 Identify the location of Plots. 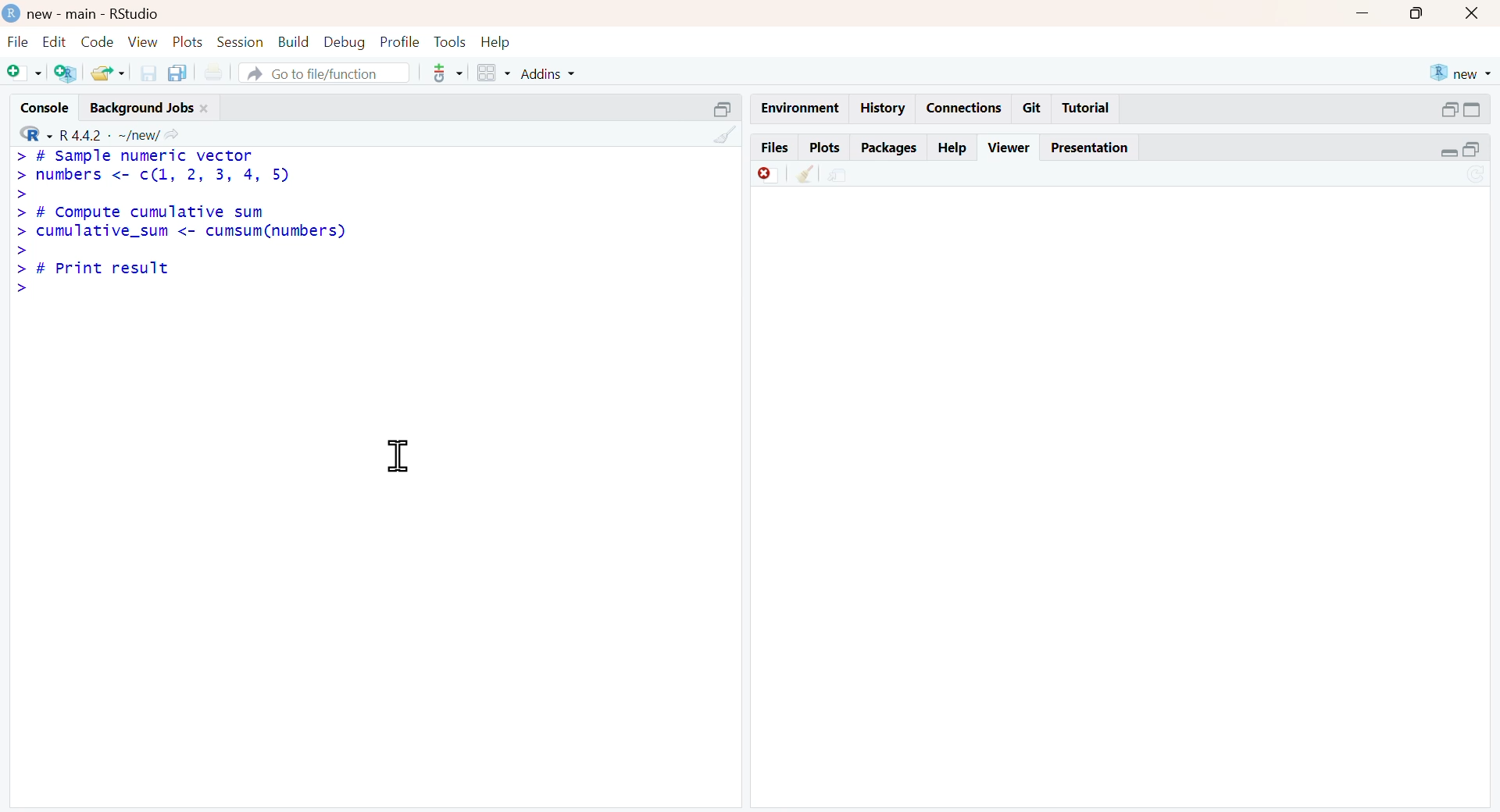
(825, 148).